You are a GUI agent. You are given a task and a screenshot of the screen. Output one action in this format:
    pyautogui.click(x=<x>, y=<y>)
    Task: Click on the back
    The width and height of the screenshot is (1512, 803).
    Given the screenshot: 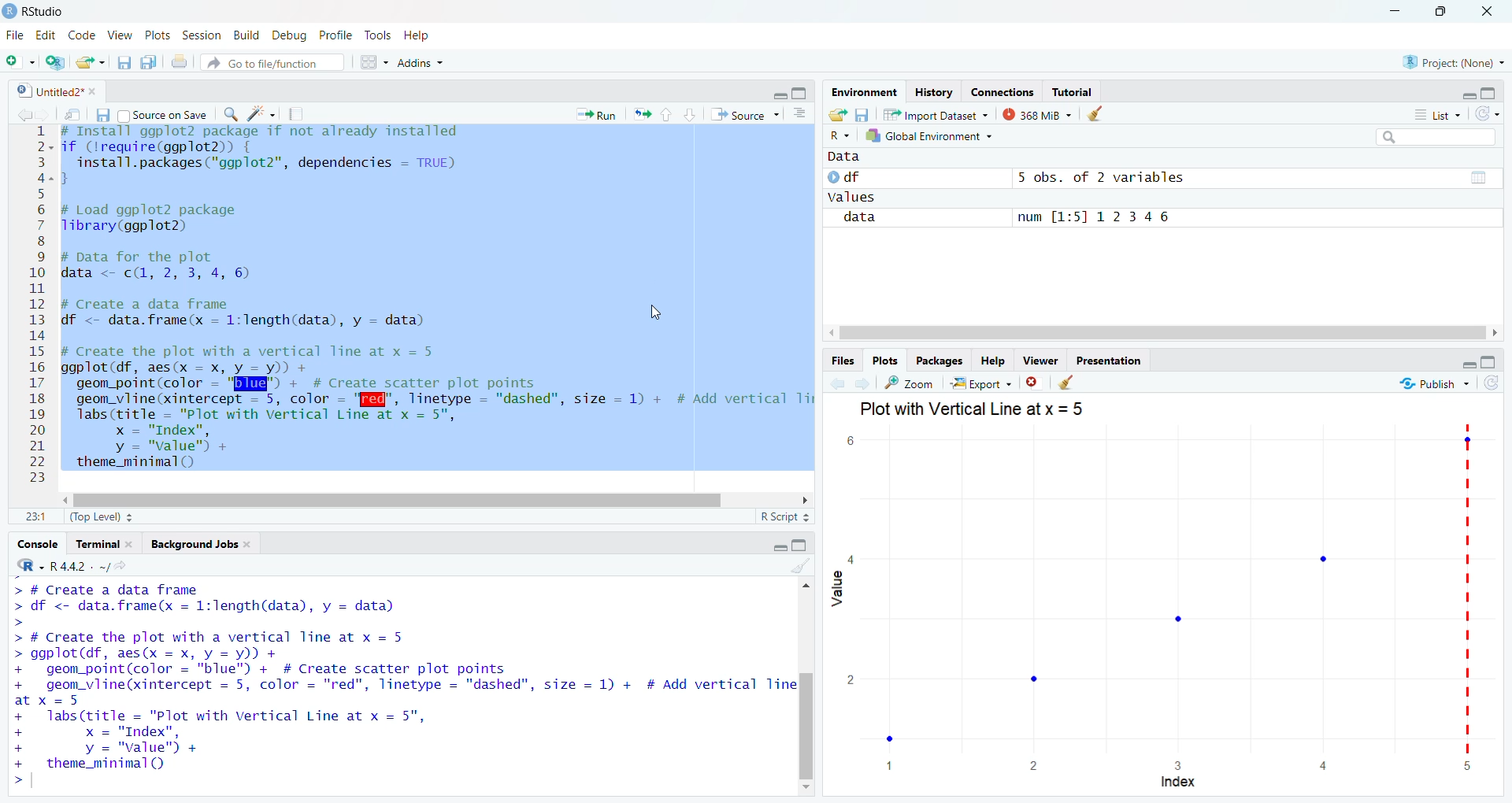 What is the action you would take?
    pyautogui.click(x=836, y=383)
    